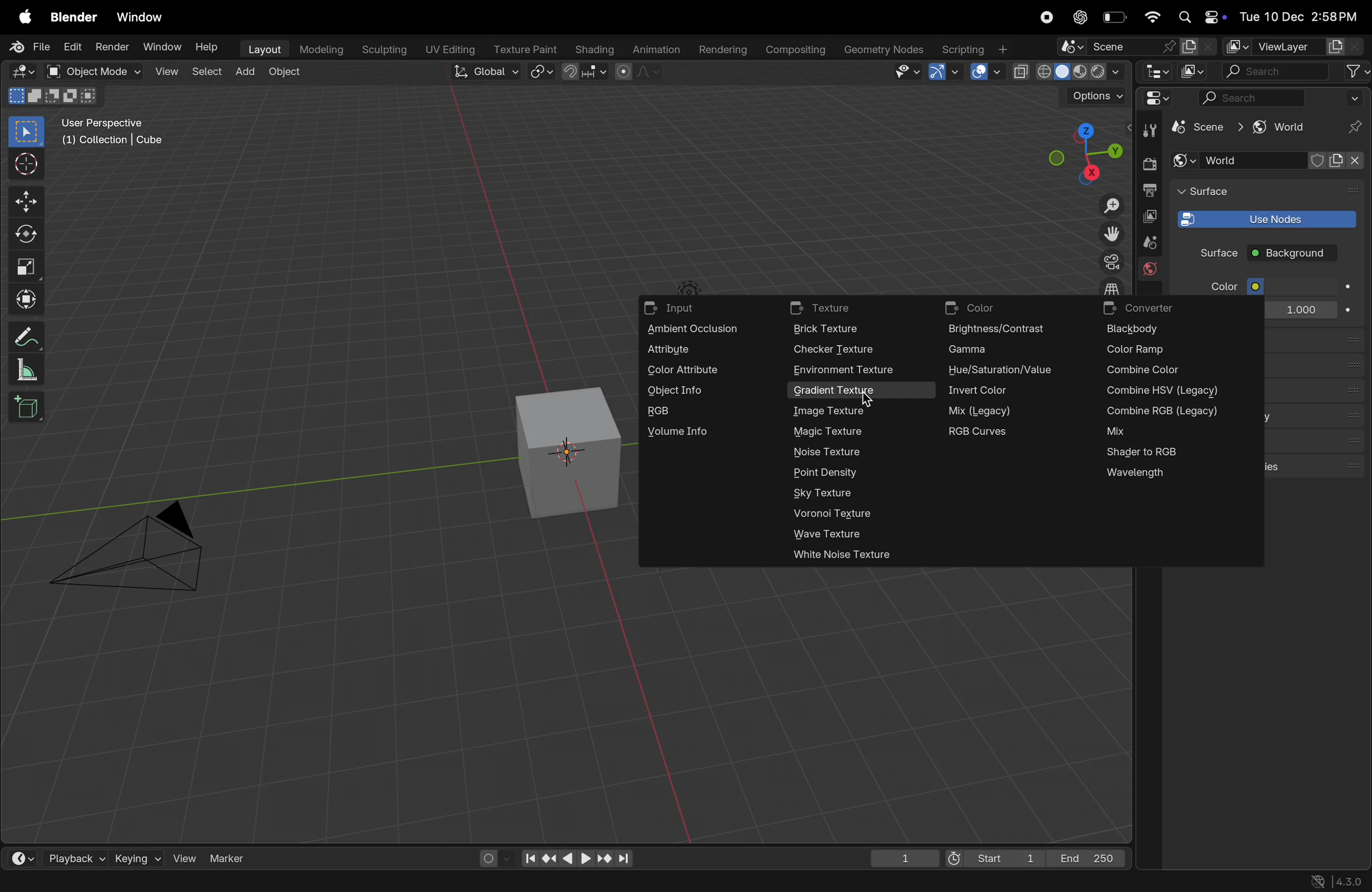 Image resolution: width=1372 pixels, height=892 pixels. What do you see at coordinates (244, 72) in the screenshot?
I see `add` at bounding box center [244, 72].